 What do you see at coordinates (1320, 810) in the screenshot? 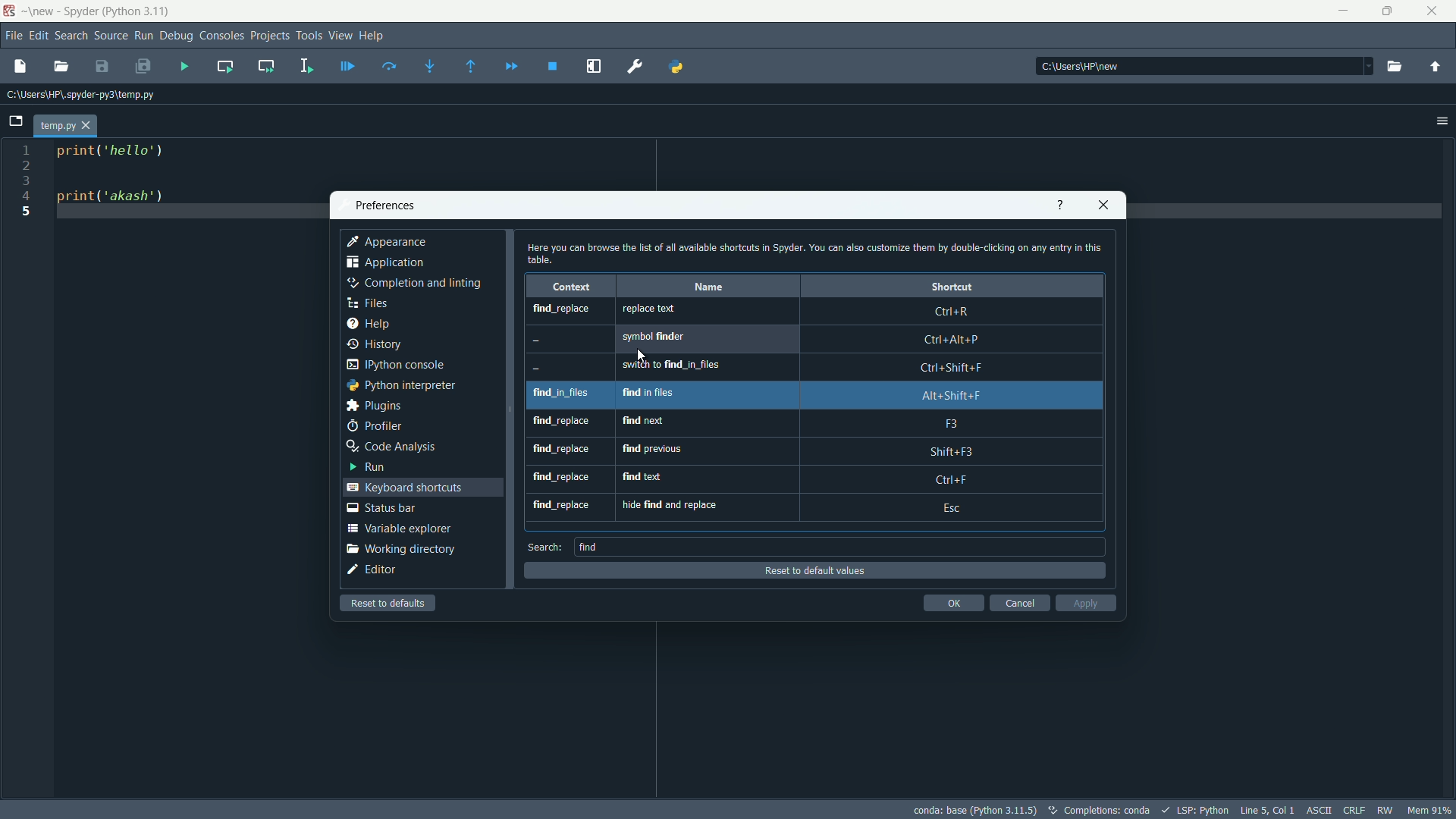
I see `ASCII` at bounding box center [1320, 810].